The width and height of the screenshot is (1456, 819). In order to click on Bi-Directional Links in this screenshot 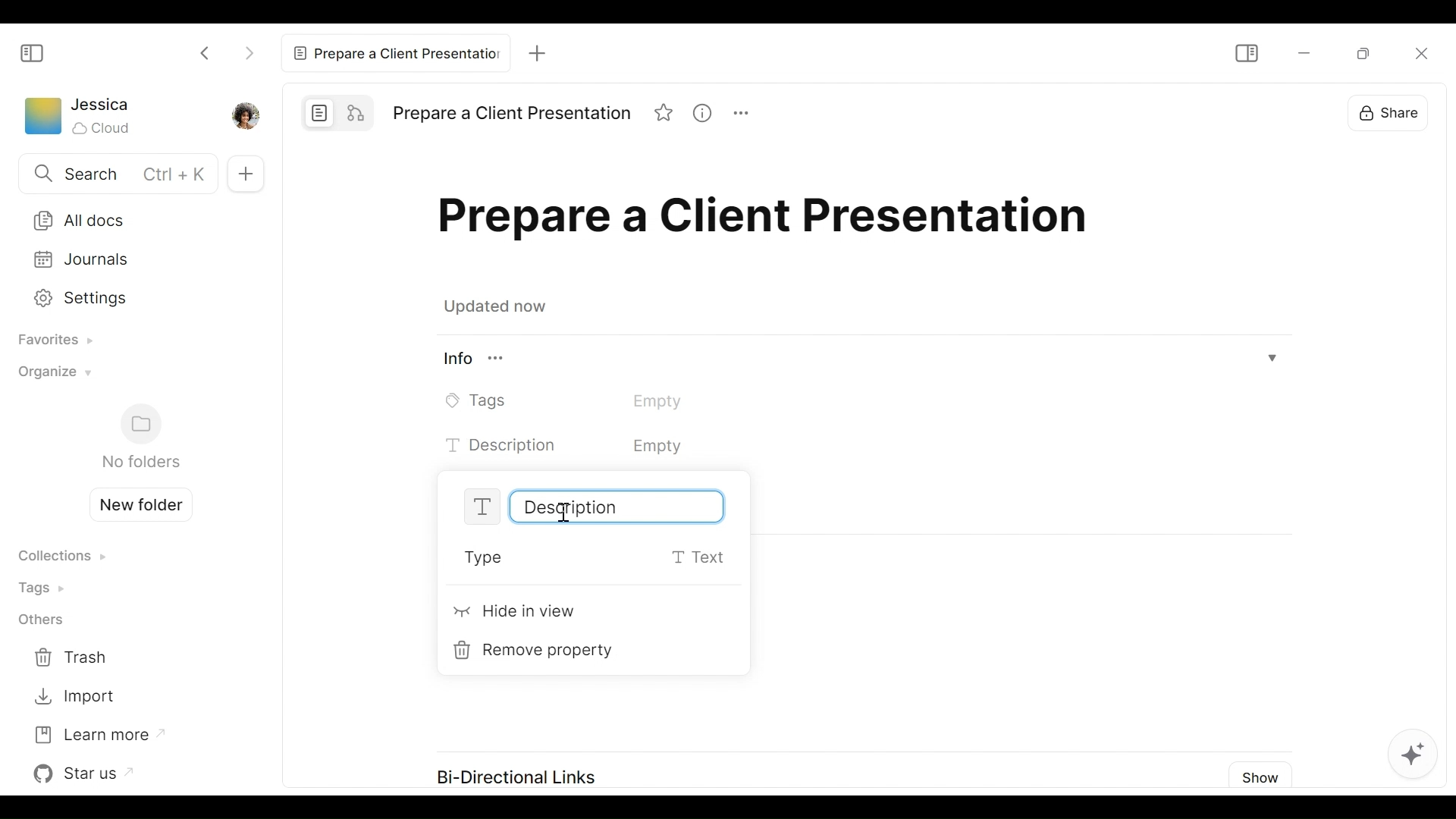, I will do `click(513, 773)`.